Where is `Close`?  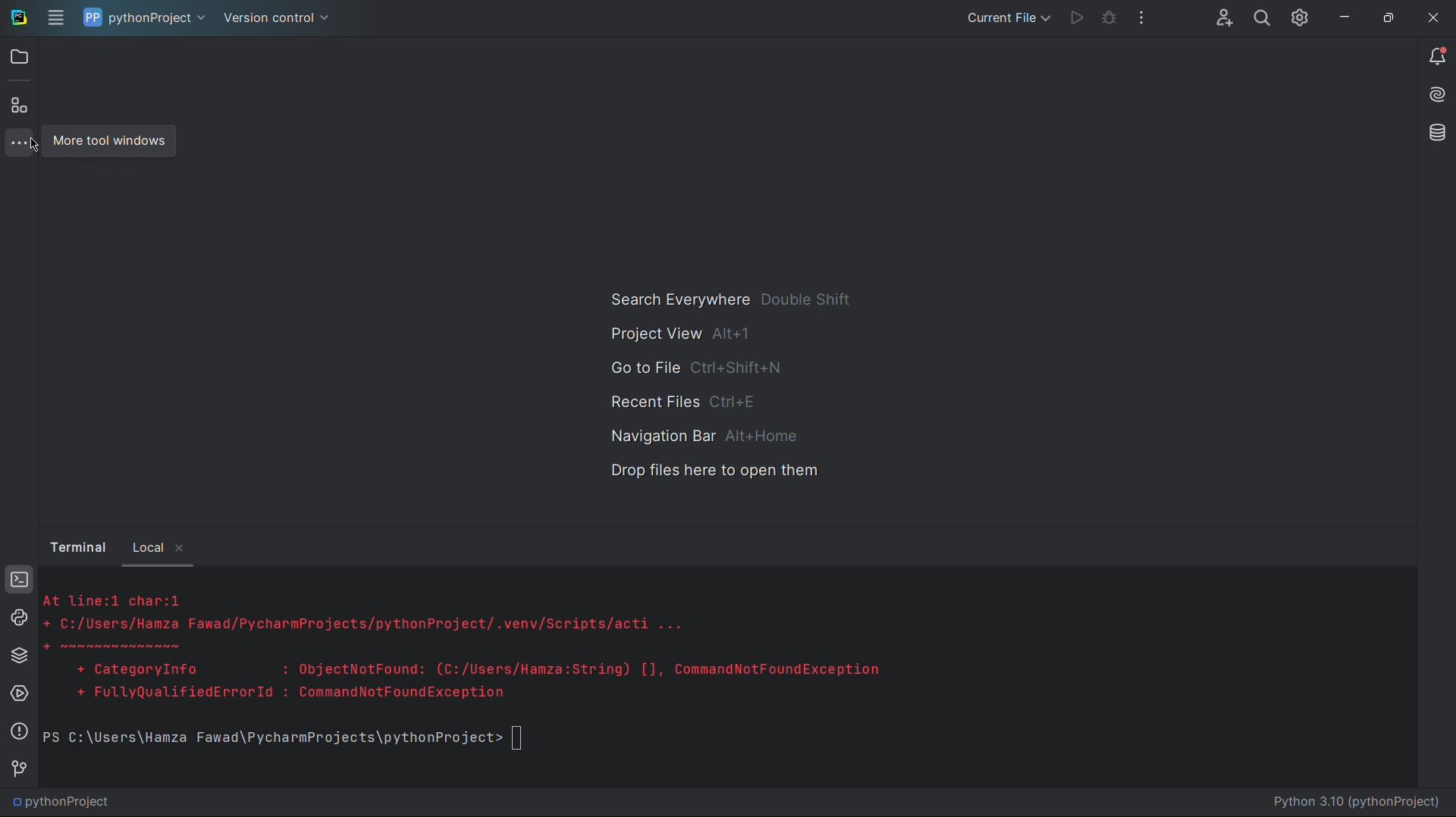
Close is located at coordinates (1435, 14).